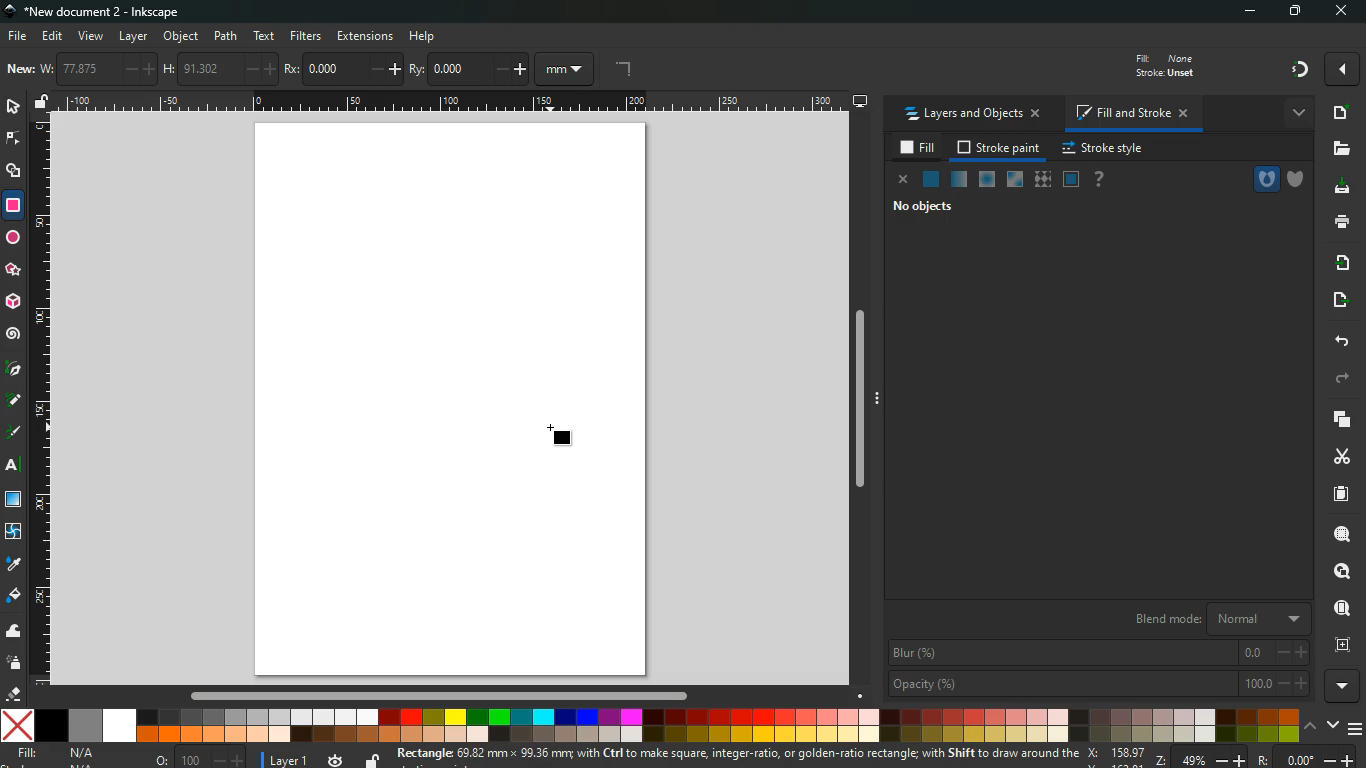 This screenshot has width=1366, height=768. What do you see at coordinates (15, 204) in the screenshot?
I see `rectangle` at bounding box center [15, 204].